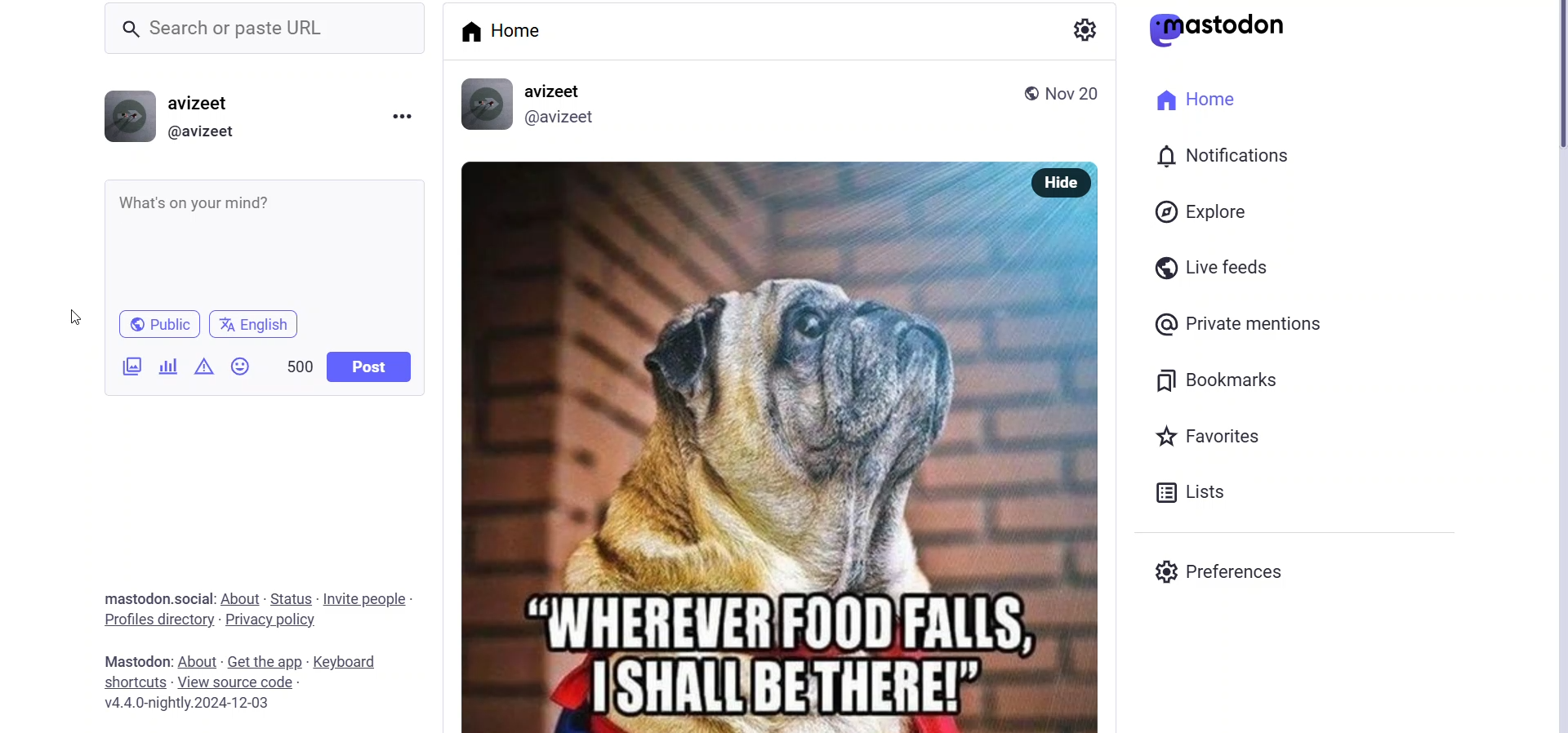 The height and width of the screenshot is (733, 1568). Describe the element at coordinates (1558, 366) in the screenshot. I see `scrollbar` at that location.